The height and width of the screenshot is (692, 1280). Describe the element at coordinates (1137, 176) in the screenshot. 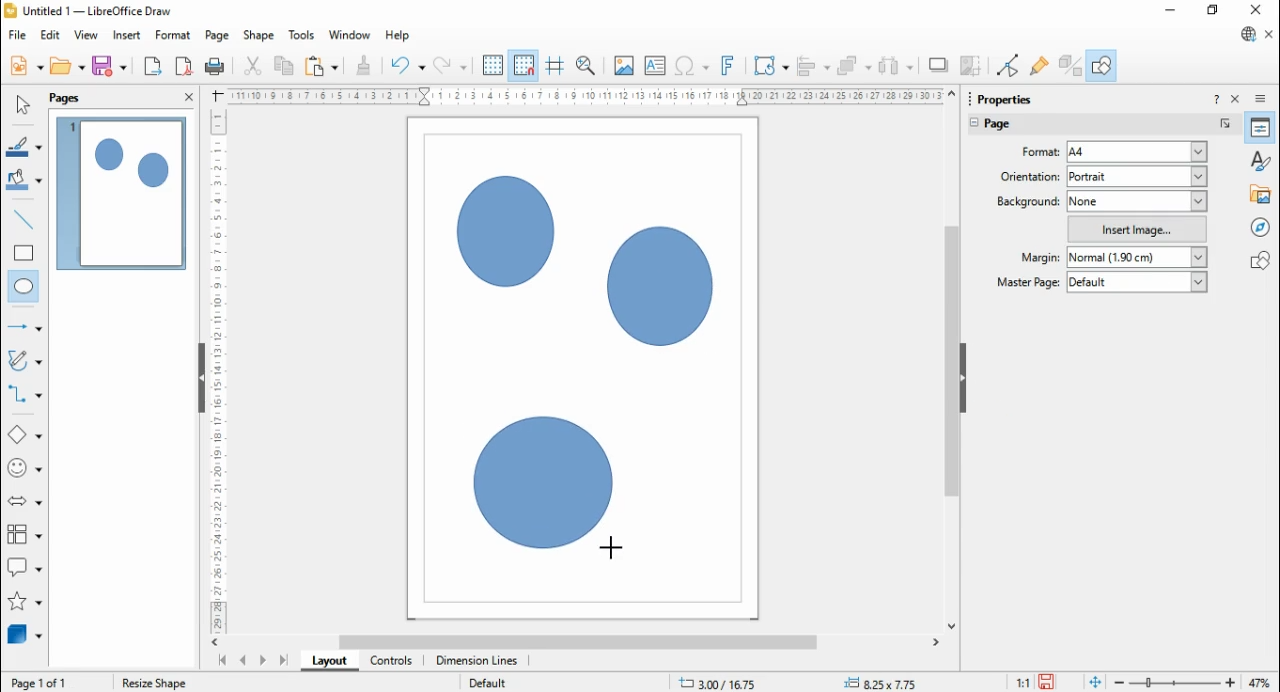

I see `portrait` at that location.